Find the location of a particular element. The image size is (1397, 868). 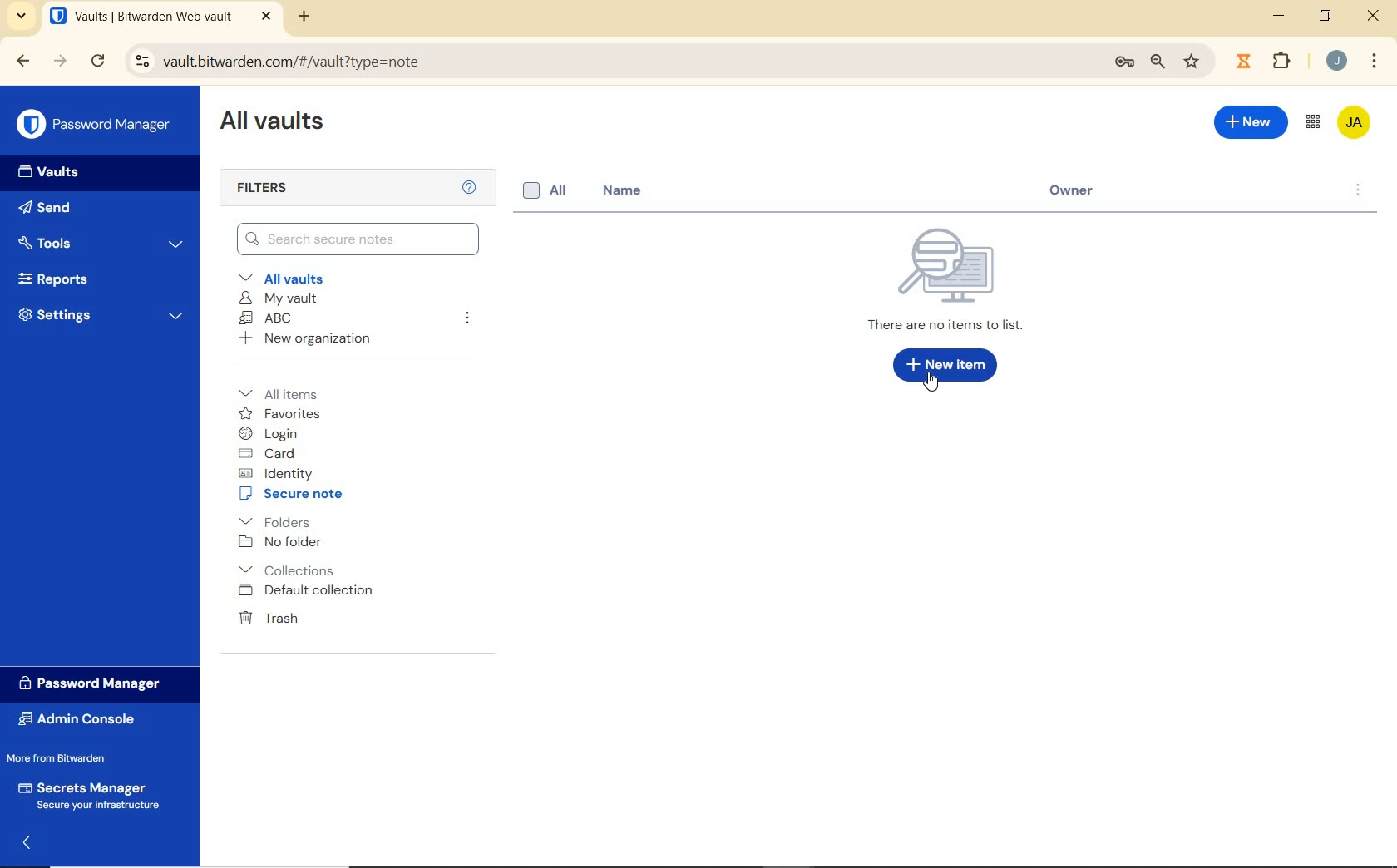

Secrets Manager is located at coordinates (93, 795).